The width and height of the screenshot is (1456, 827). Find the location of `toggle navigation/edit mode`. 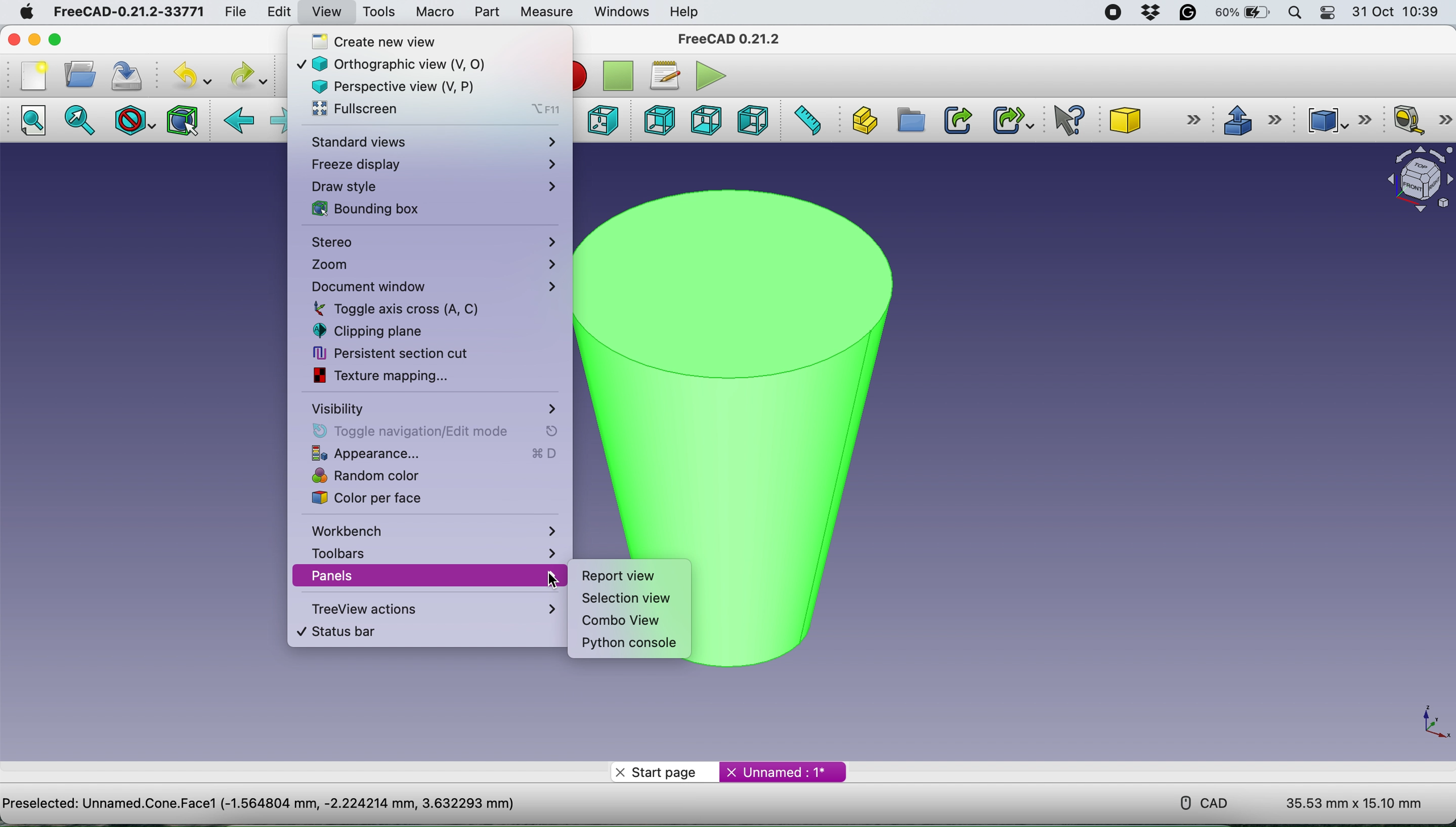

toggle navigation/edit mode is located at coordinates (427, 431).